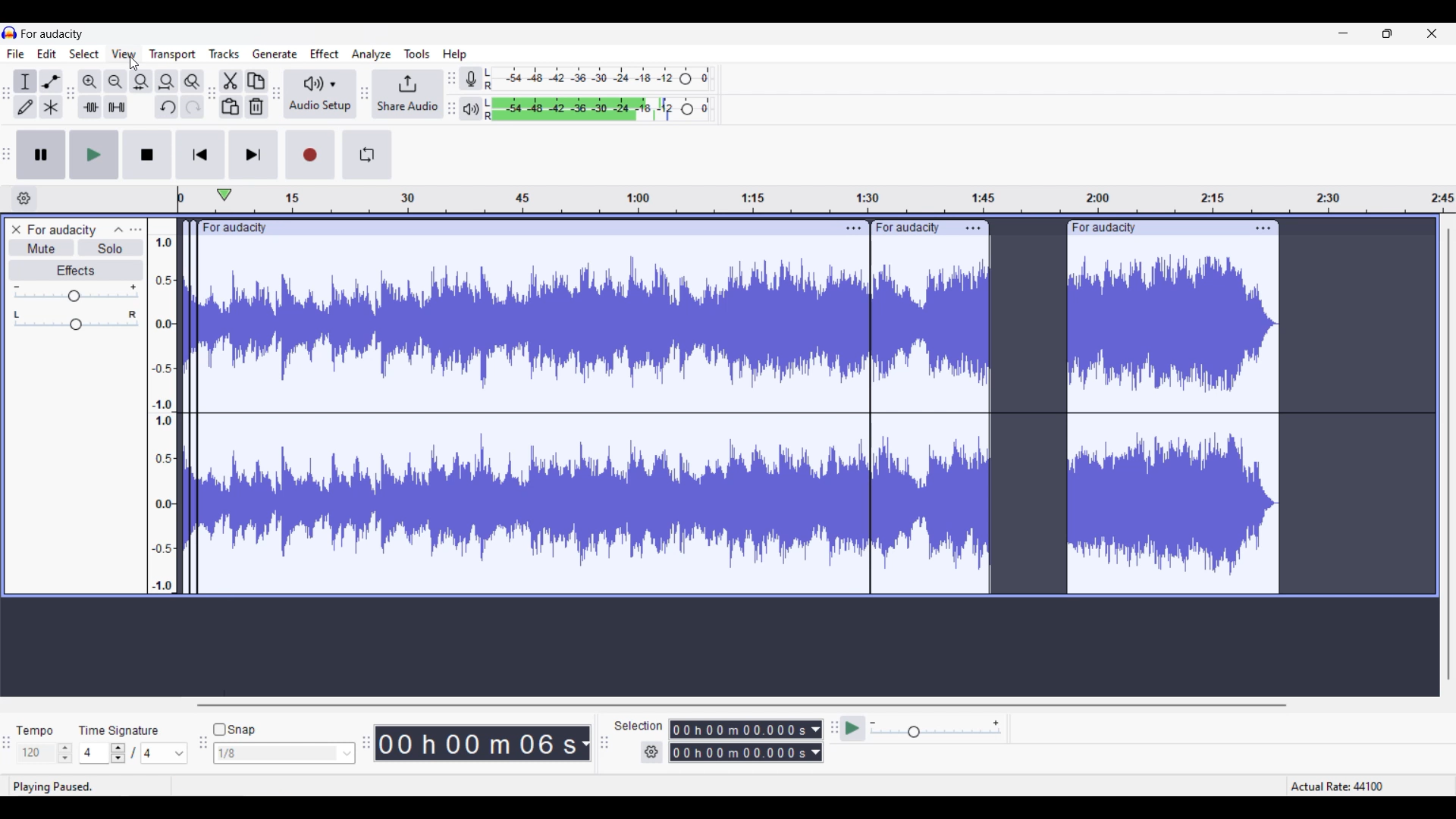 The width and height of the screenshot is (1456, 819). Describe the element at coordinates (1154, 227) in the screenshot. I see `click to drag` at that location.